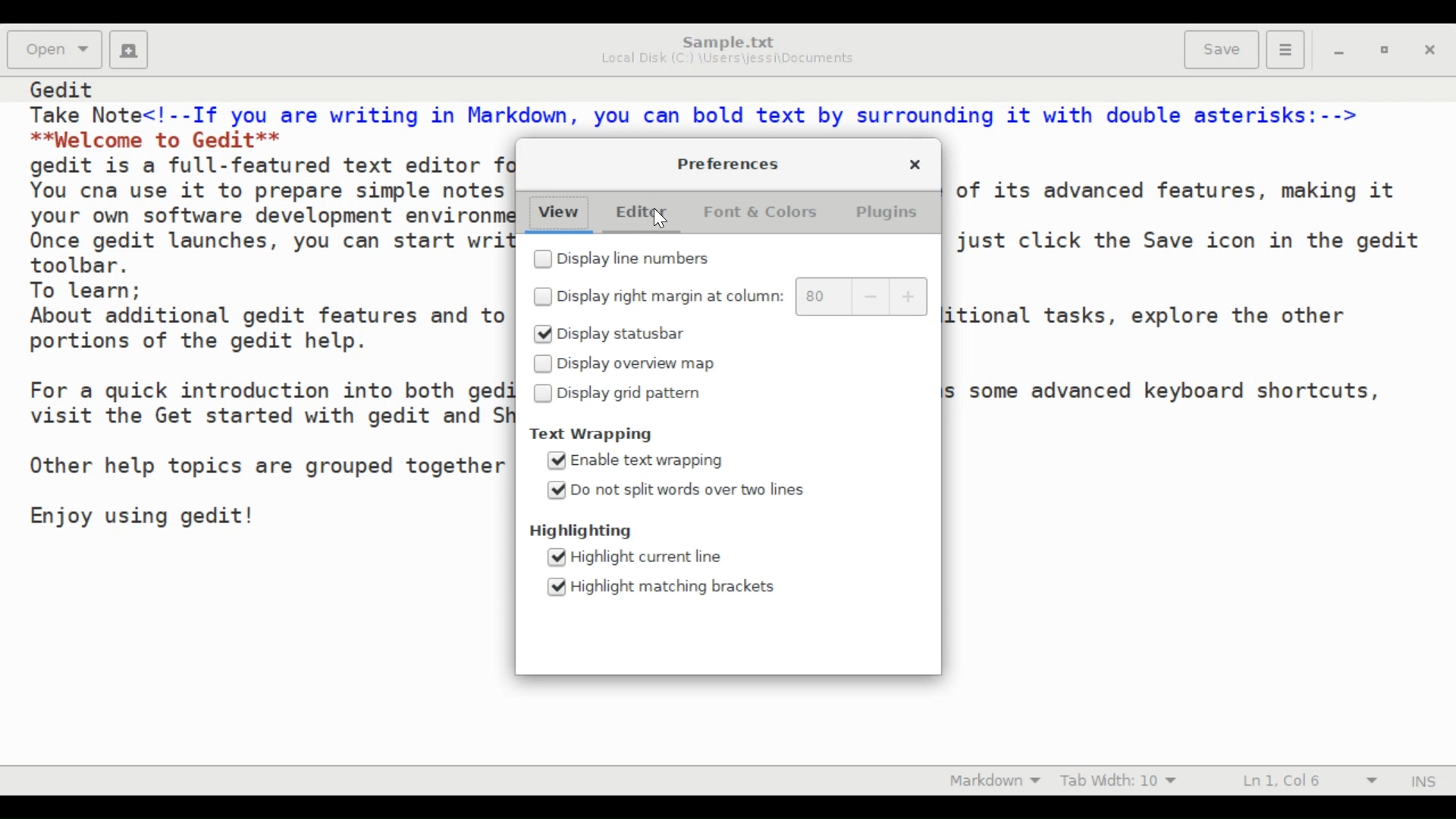 This screenshot has height=819, width=1456. What do you see at coordinates (657, 296) in the screenshot?
I see `(un)select Display right margin at column` at bounding box center [657, 296].